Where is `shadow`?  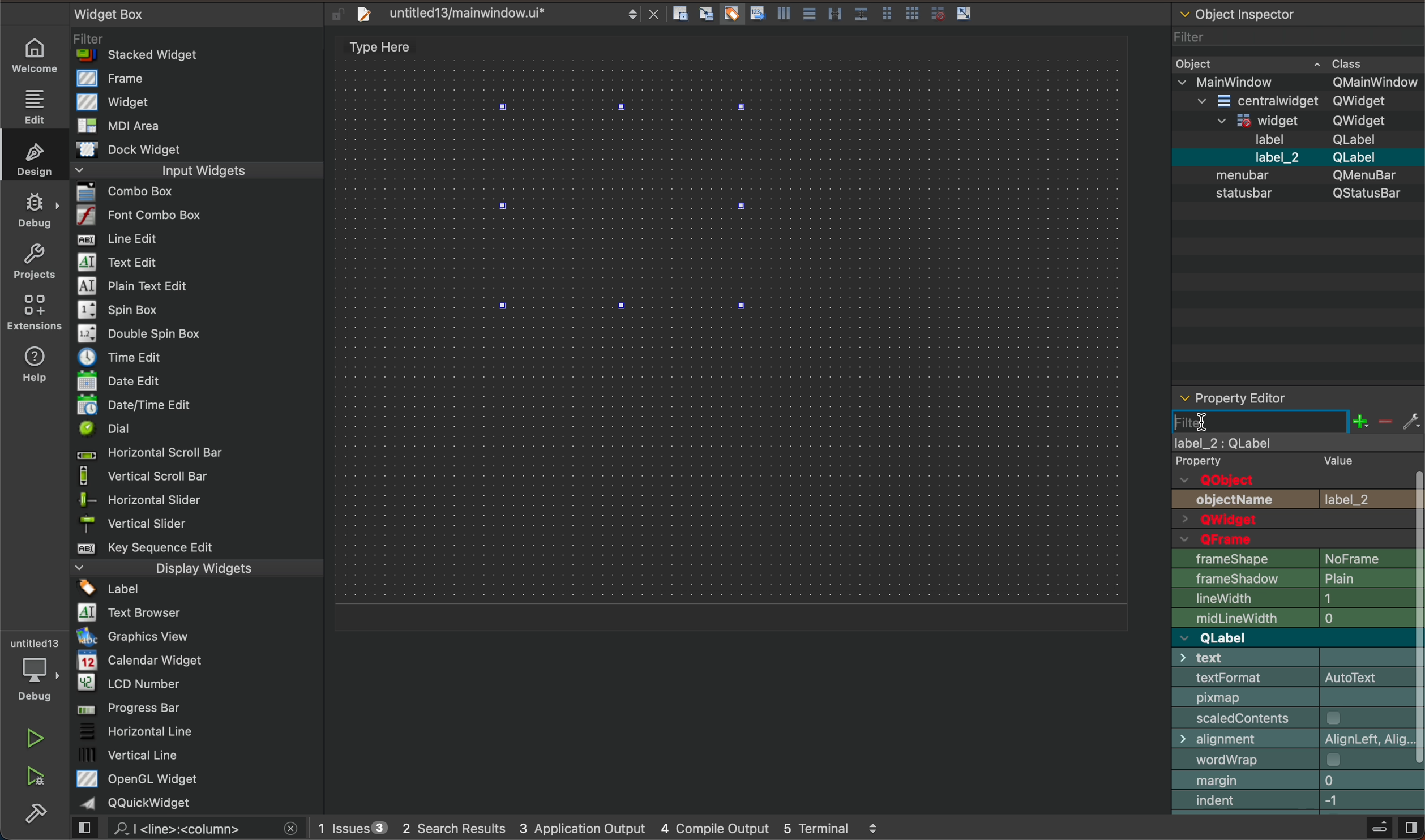
shadow is located at coordinates (1296, 581).